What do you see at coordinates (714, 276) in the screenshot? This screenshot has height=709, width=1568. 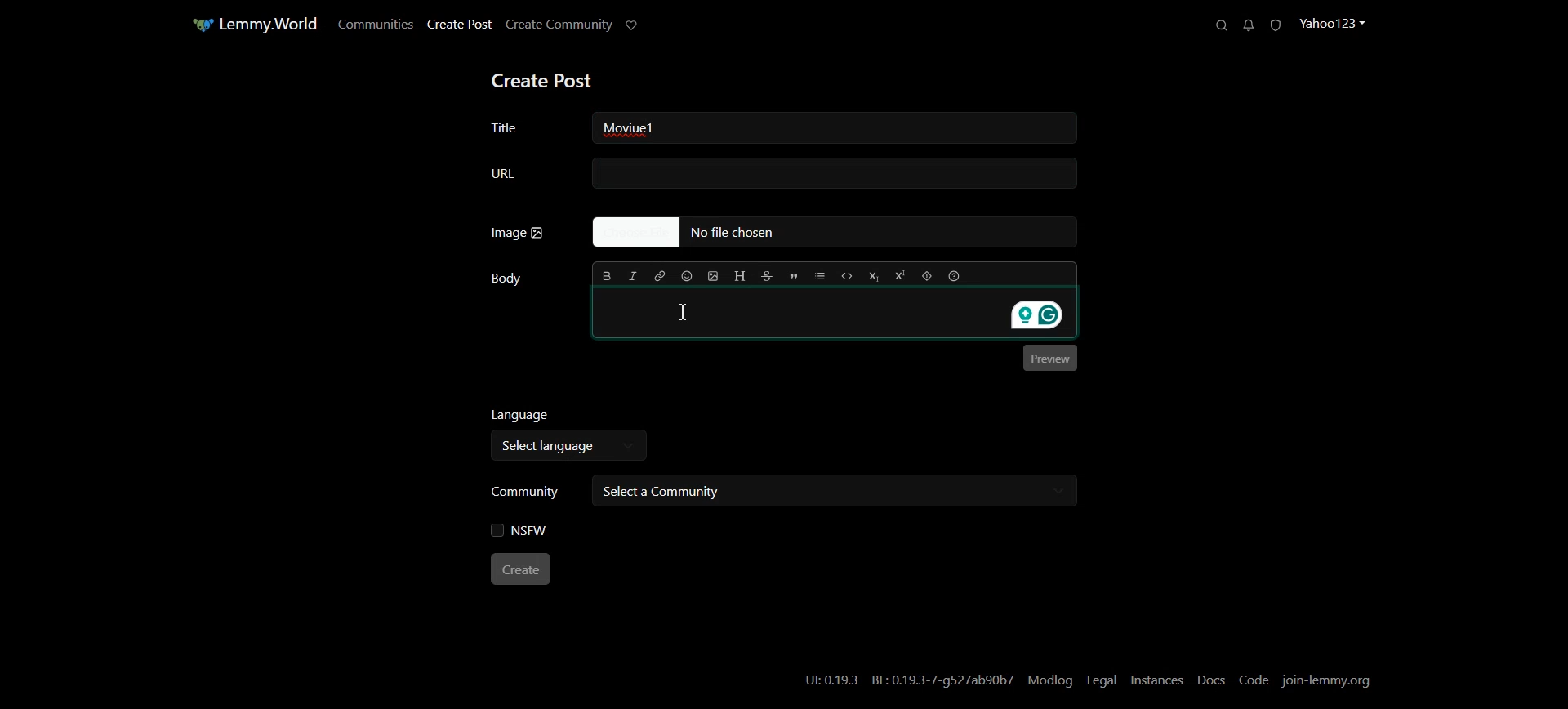 I see `Upload Image` at bounding box center [714, 276].